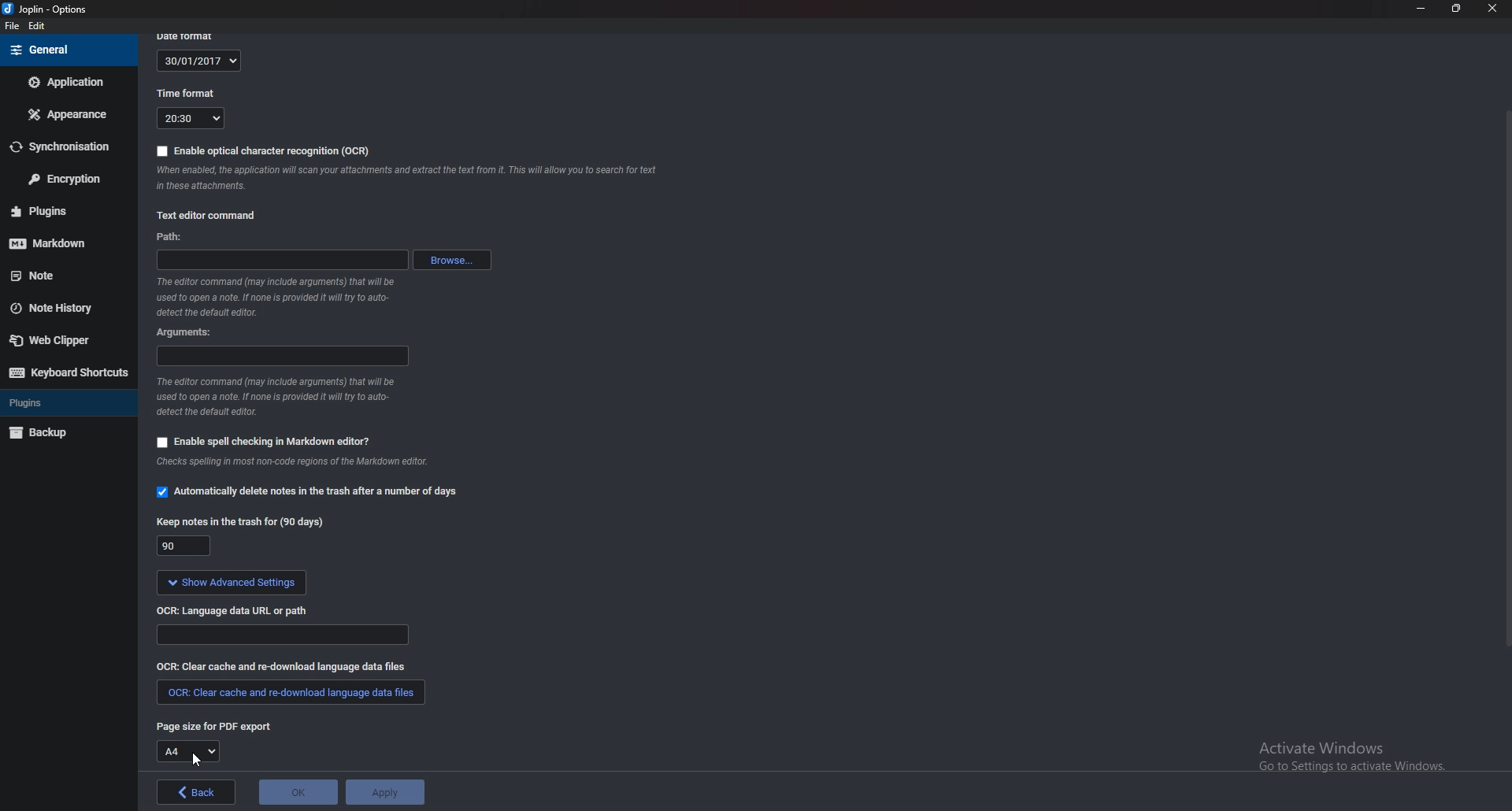 The image size is (1512, 811). Describe the element at coordinates (187, 751) in the screenshot. I see `A4` at that location.